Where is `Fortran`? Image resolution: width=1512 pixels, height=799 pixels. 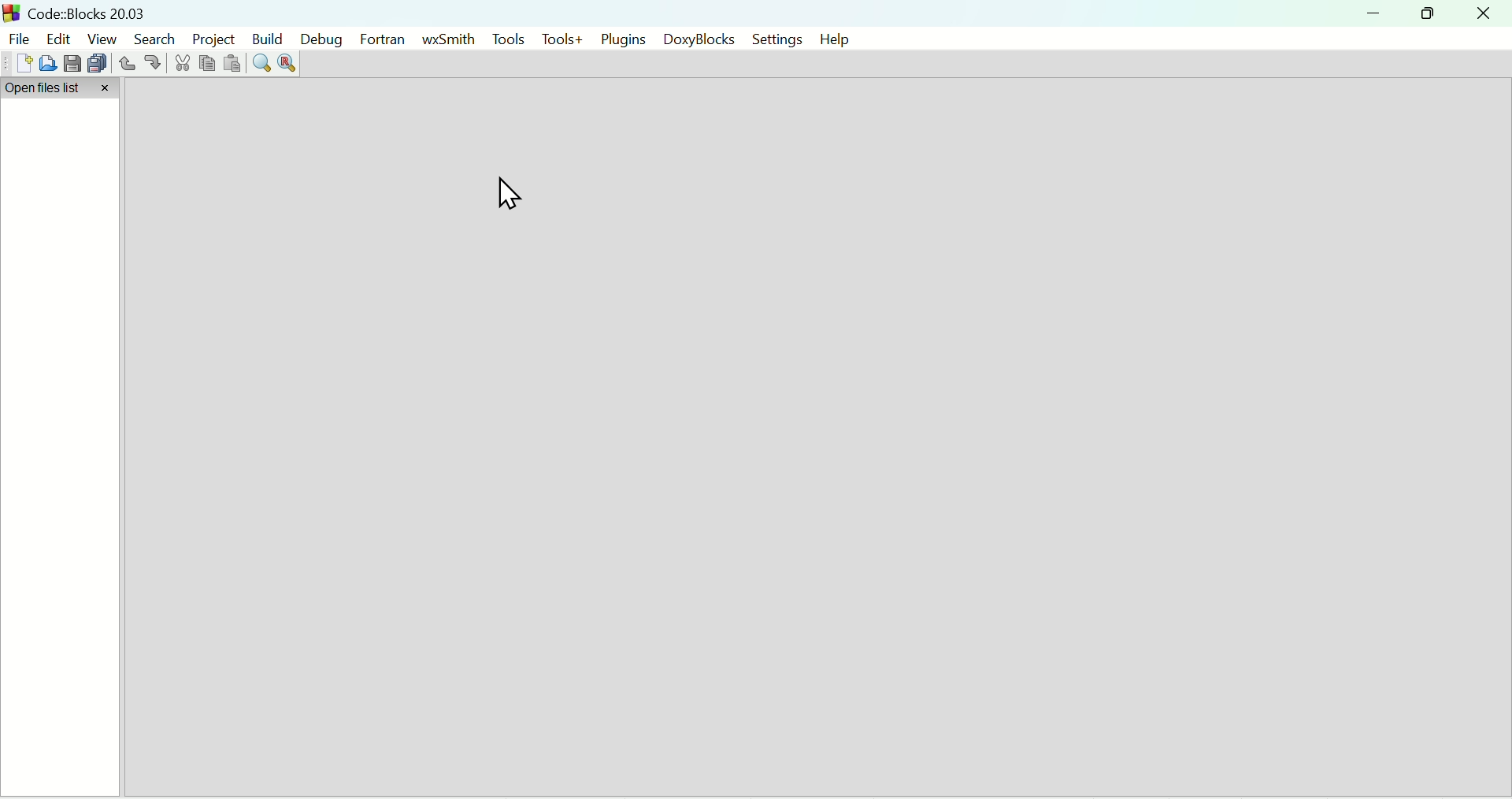 Fortran is located at coordinates (384, 39).